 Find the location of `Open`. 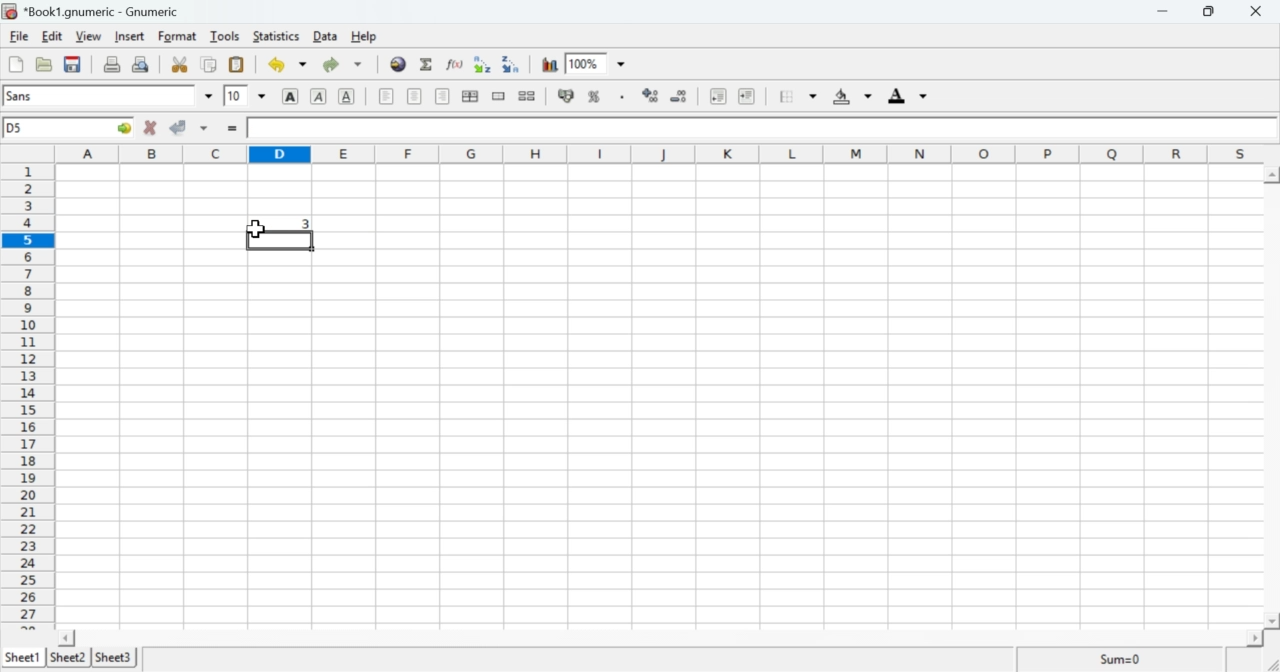

Open is located at coordinates (45, 65).